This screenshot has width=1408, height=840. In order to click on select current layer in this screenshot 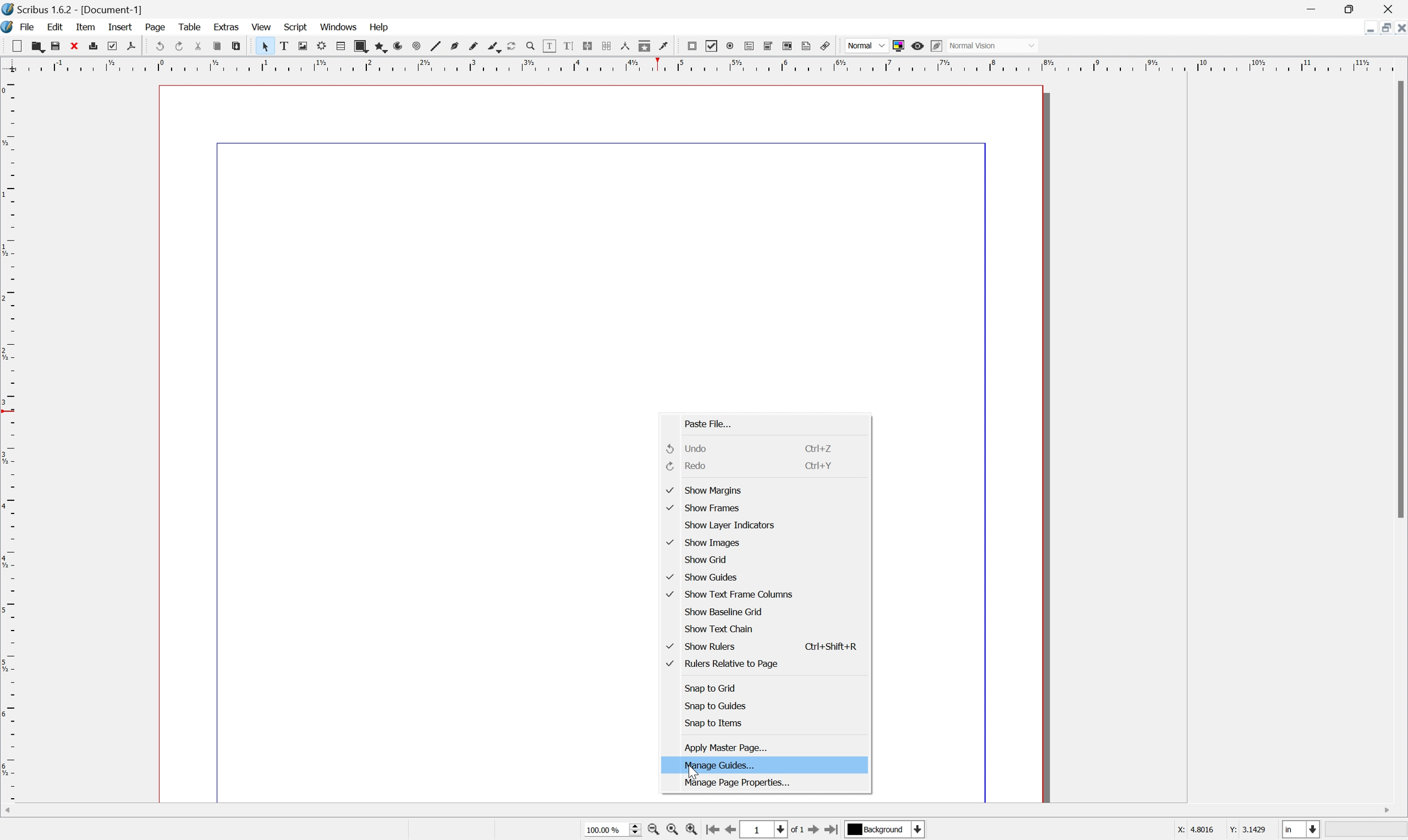, I will do `click(883, 829)`.